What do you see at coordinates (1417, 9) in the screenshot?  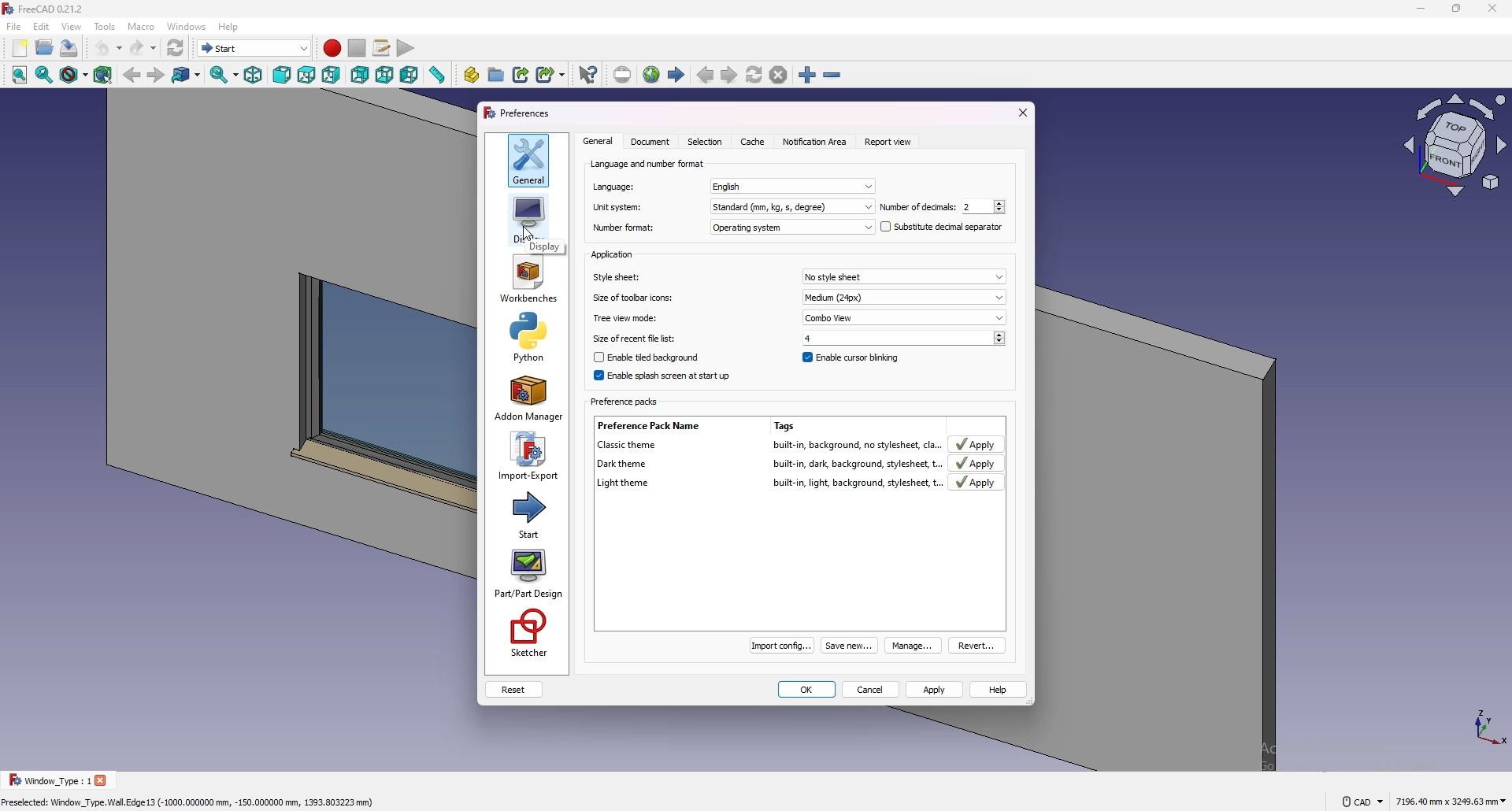 I see `minimize` at bounding box center [1417, 9].